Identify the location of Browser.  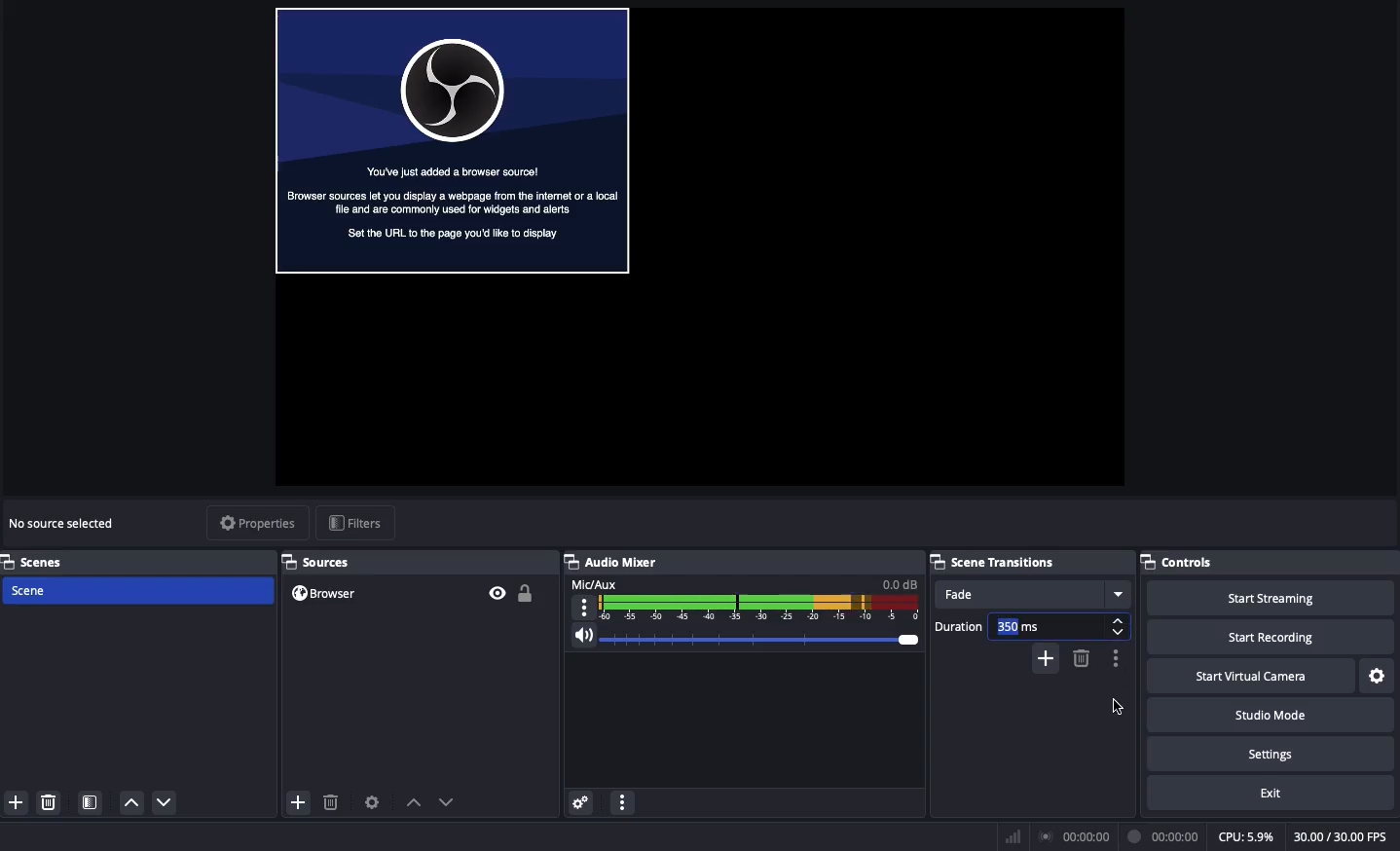
(452, 142).